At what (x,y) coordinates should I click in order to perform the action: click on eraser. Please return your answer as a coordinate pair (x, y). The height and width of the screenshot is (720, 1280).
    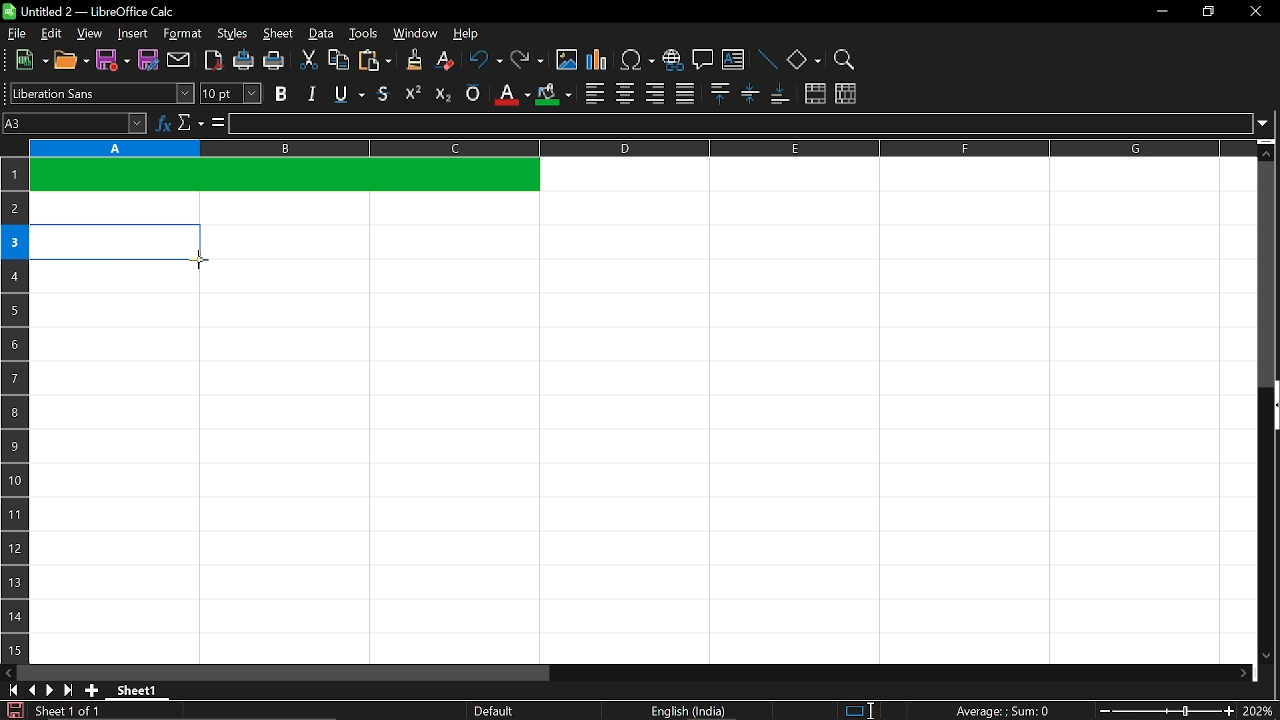
    Looking at the image, I should click on (442, 61).